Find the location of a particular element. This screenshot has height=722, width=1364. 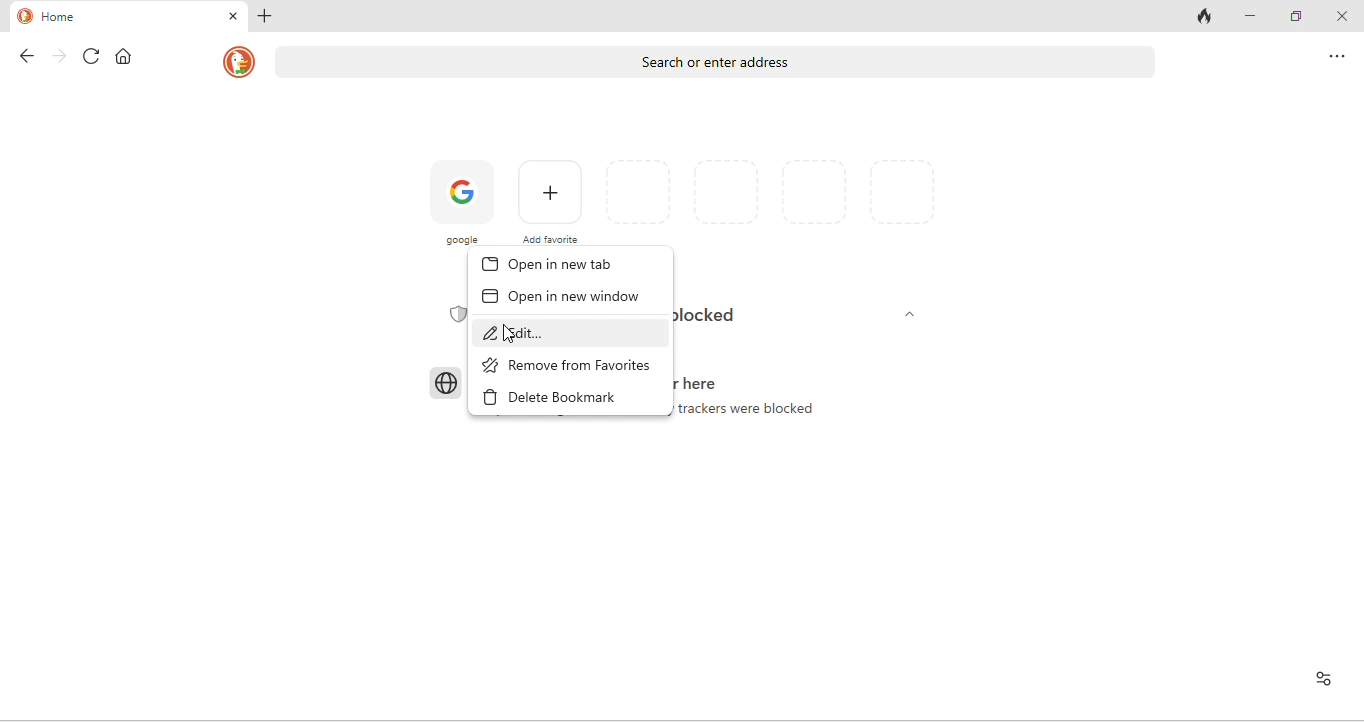

minimize is located at coordinates (1248, 16).